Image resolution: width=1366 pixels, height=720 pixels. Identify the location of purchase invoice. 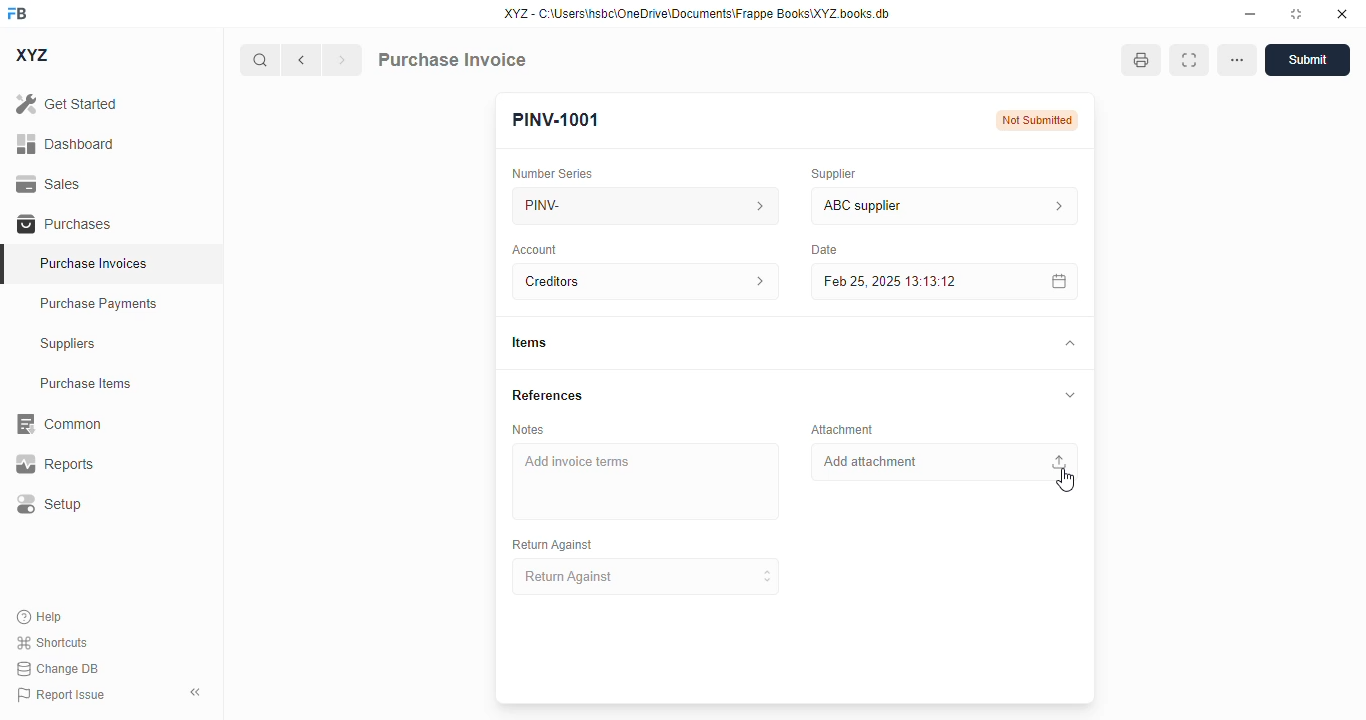
(451, 59).